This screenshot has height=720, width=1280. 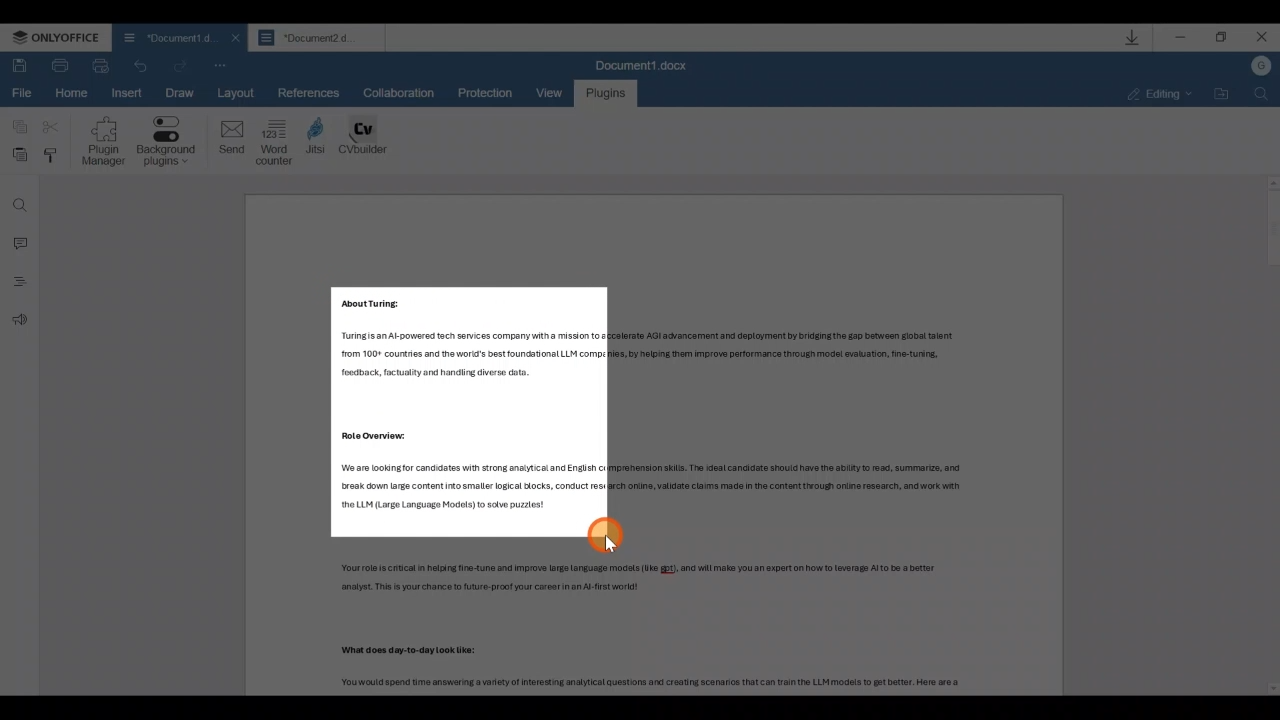 What do you see at coordinates (166, 144) in the screenshot?
I see `Background plugins` at bounding box center [166, 144].